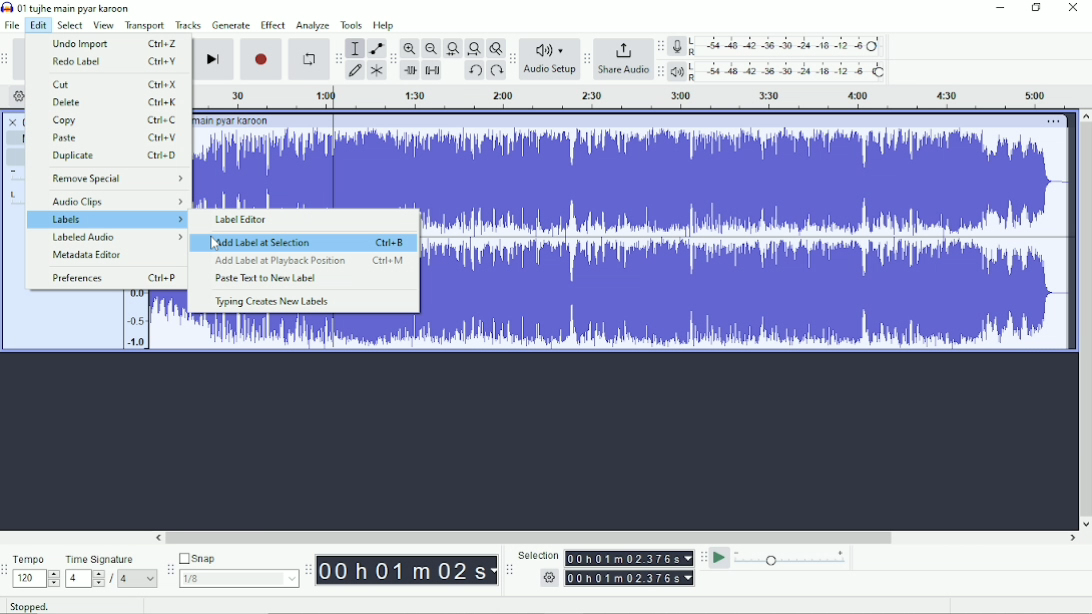  Describe the element at coordinates (1052, 121) in the screenshot. I see `More options` at that location.